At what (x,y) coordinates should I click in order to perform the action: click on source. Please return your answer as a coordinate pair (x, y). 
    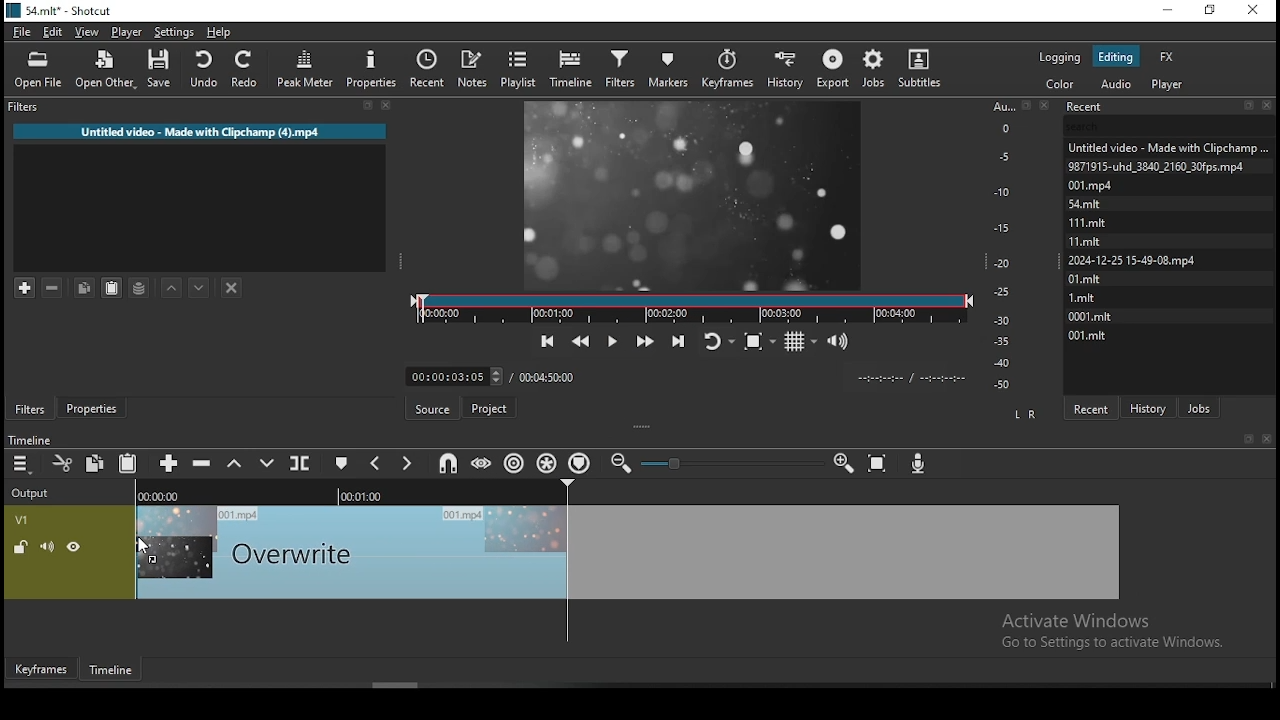
    Looking at the image, I should click on (434, 408).